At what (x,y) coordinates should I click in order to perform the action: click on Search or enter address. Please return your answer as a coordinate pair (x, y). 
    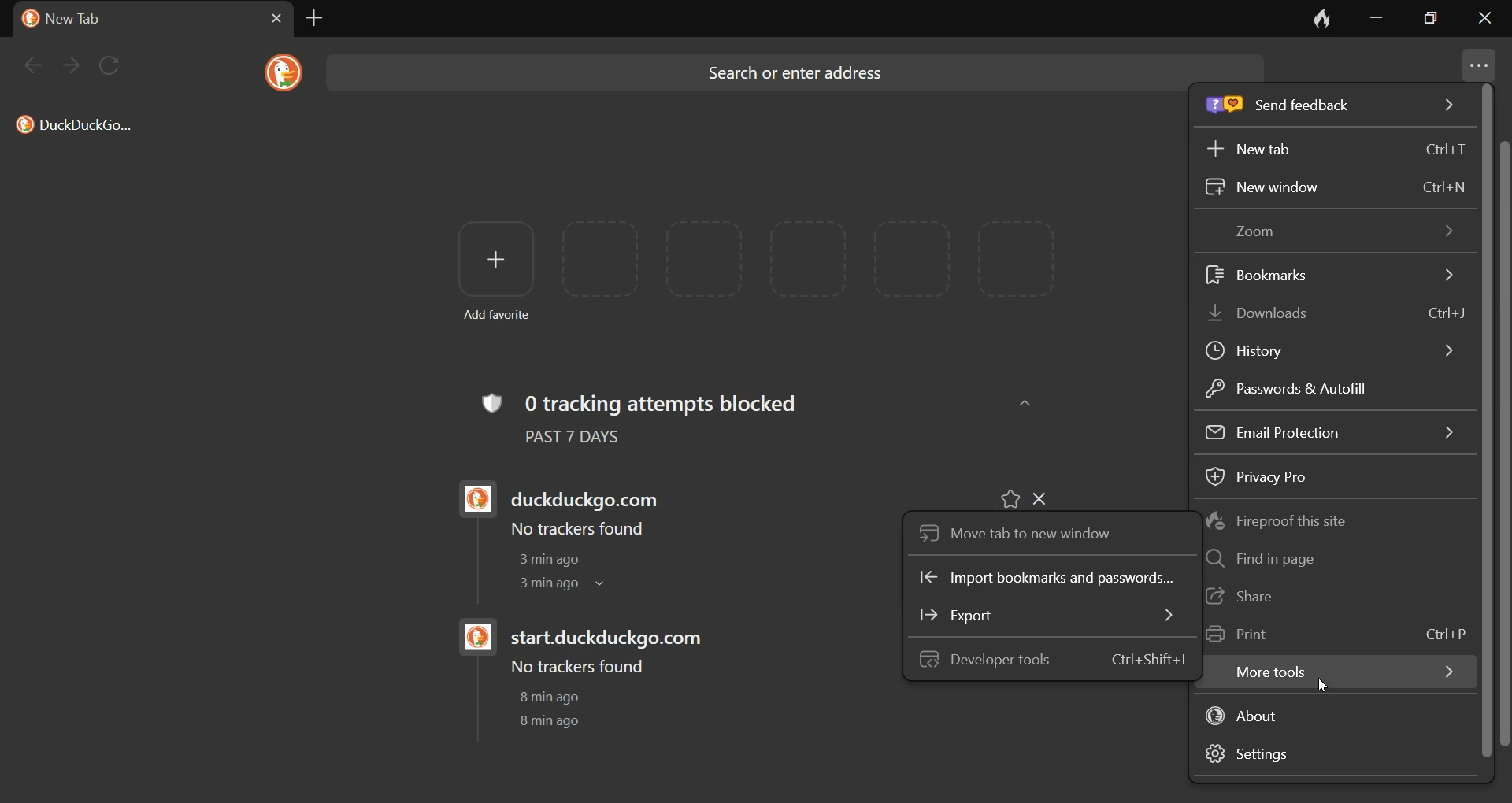
    Looking at the image, I should click on (804, 77).